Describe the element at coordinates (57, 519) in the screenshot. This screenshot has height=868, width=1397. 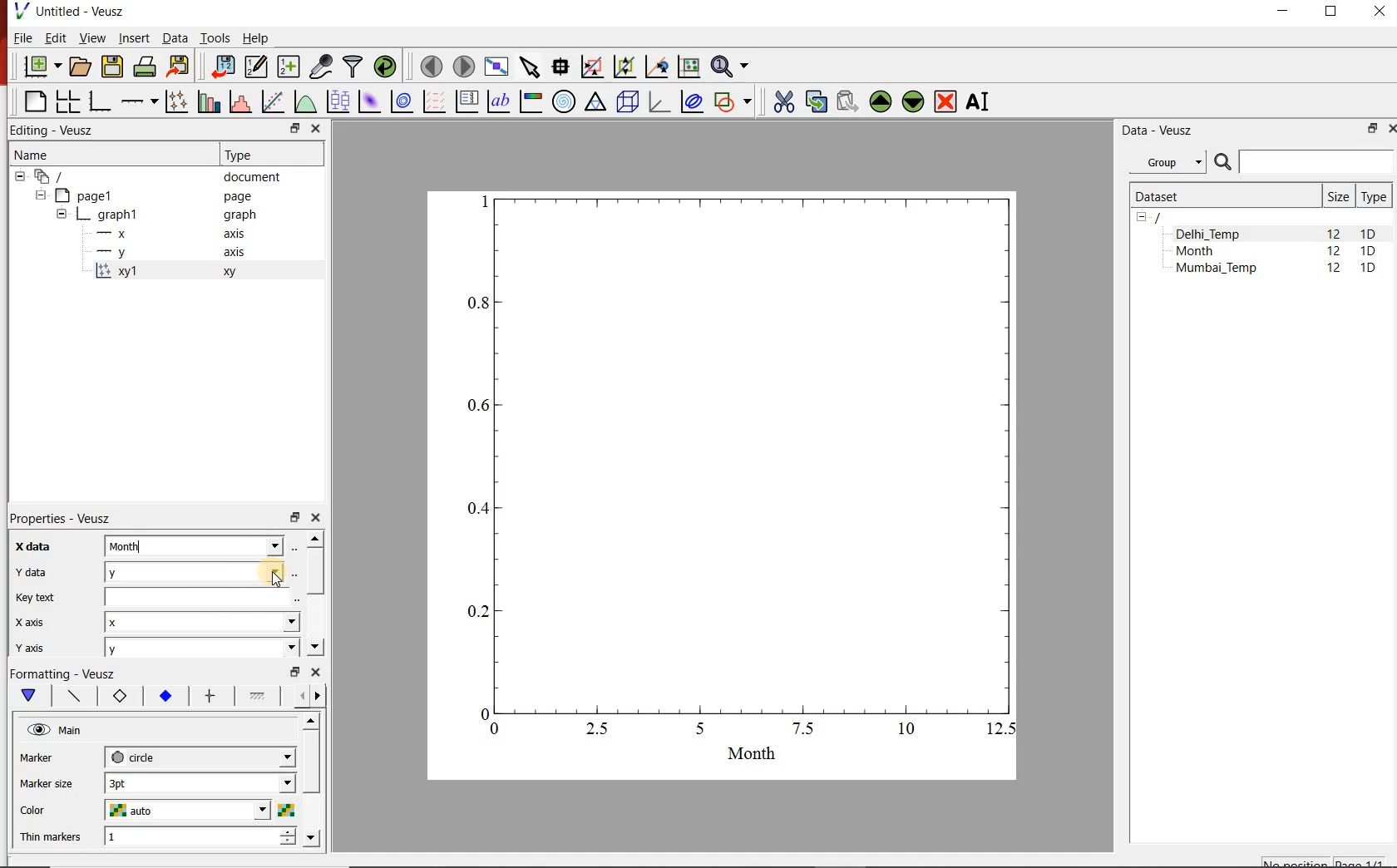
I see `Properties - Veusz` at that location.